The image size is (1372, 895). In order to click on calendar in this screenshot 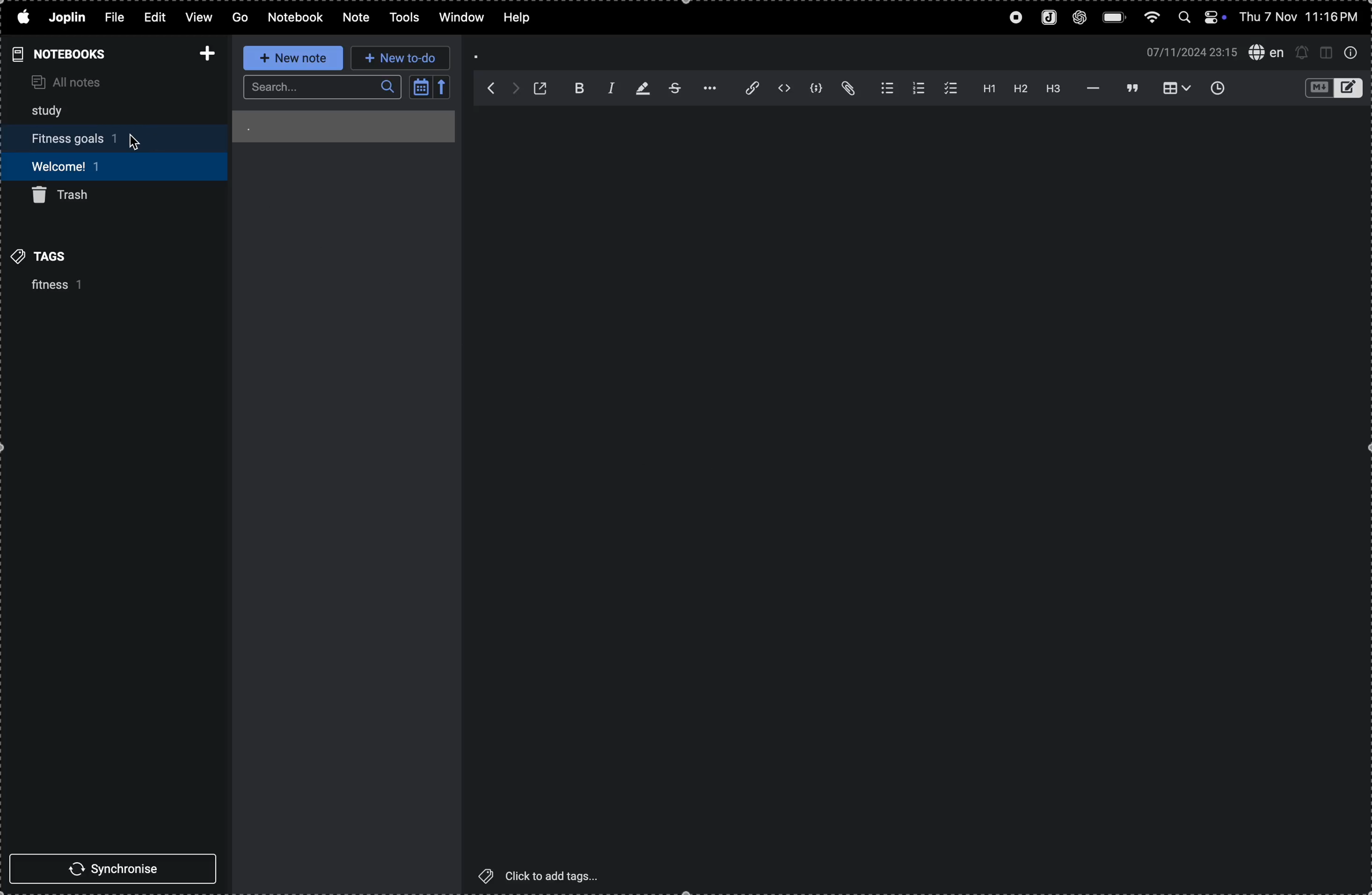, I will do `click(430, 89)`.